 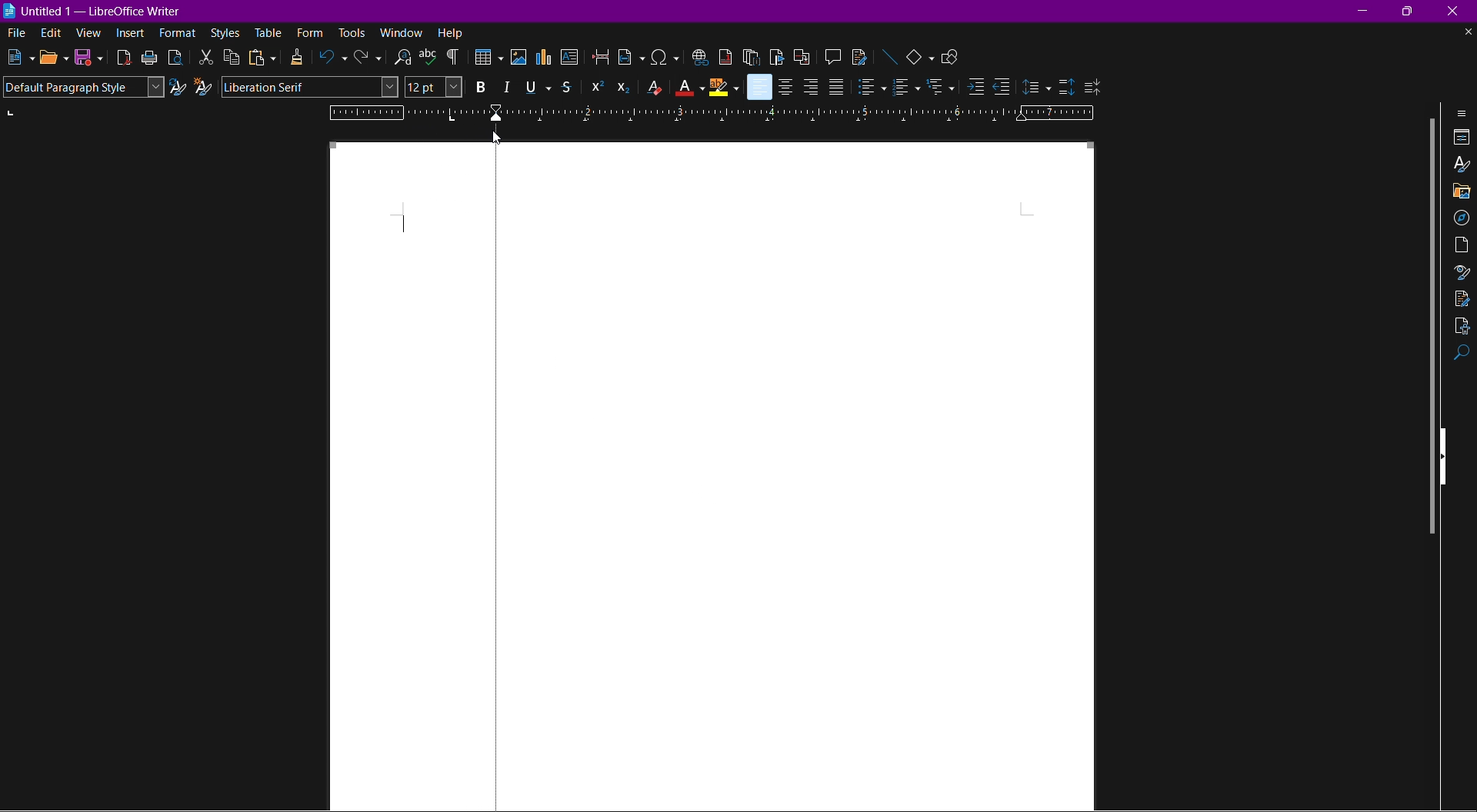 I want to click on Properties, so click(x=1462, y=138).